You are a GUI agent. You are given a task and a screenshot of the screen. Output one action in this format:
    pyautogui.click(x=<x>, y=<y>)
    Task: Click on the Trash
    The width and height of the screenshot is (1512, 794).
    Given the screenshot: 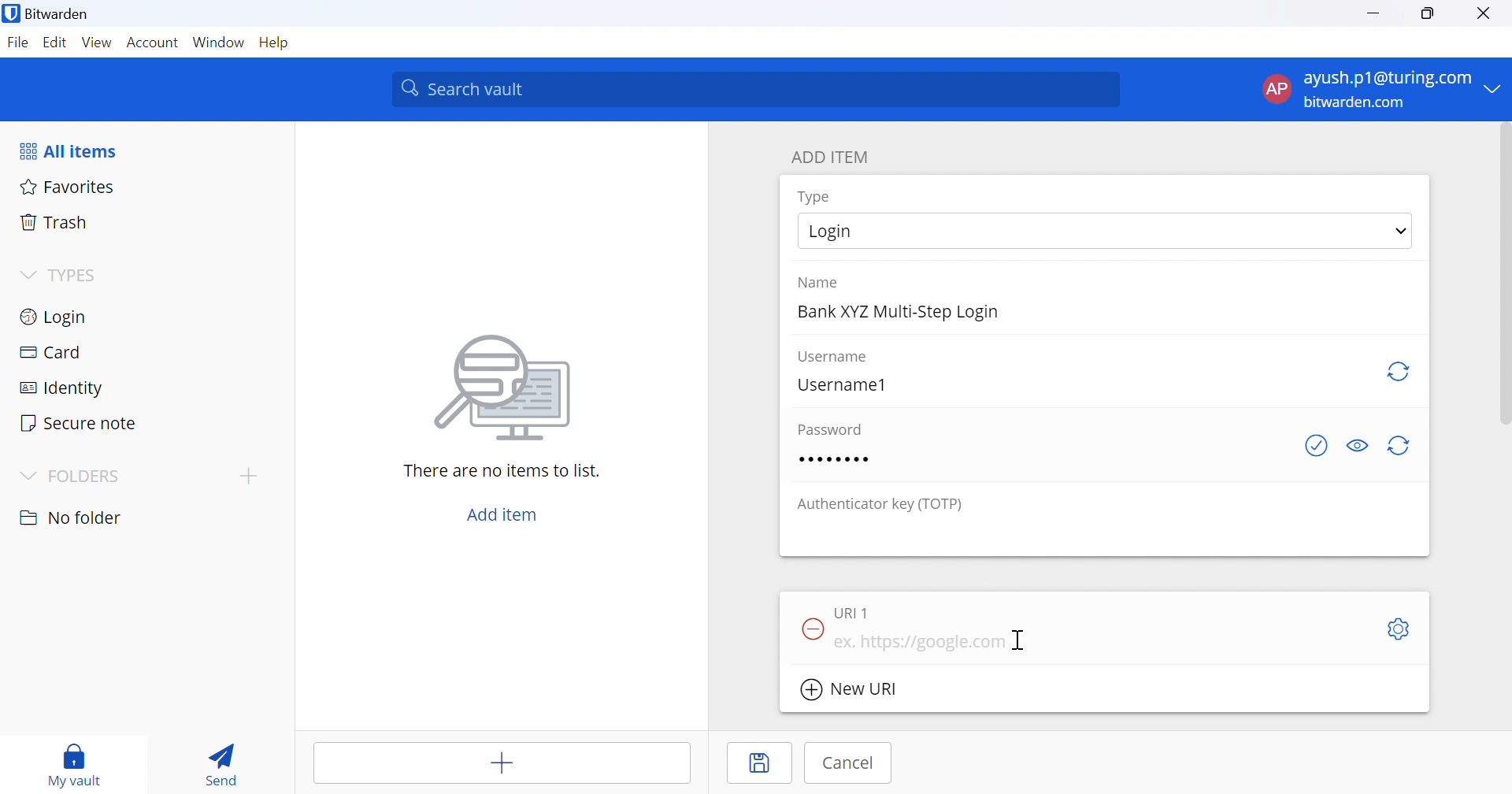 What is the action you would take?
    pyautogui.click(x=54, y=221)
    